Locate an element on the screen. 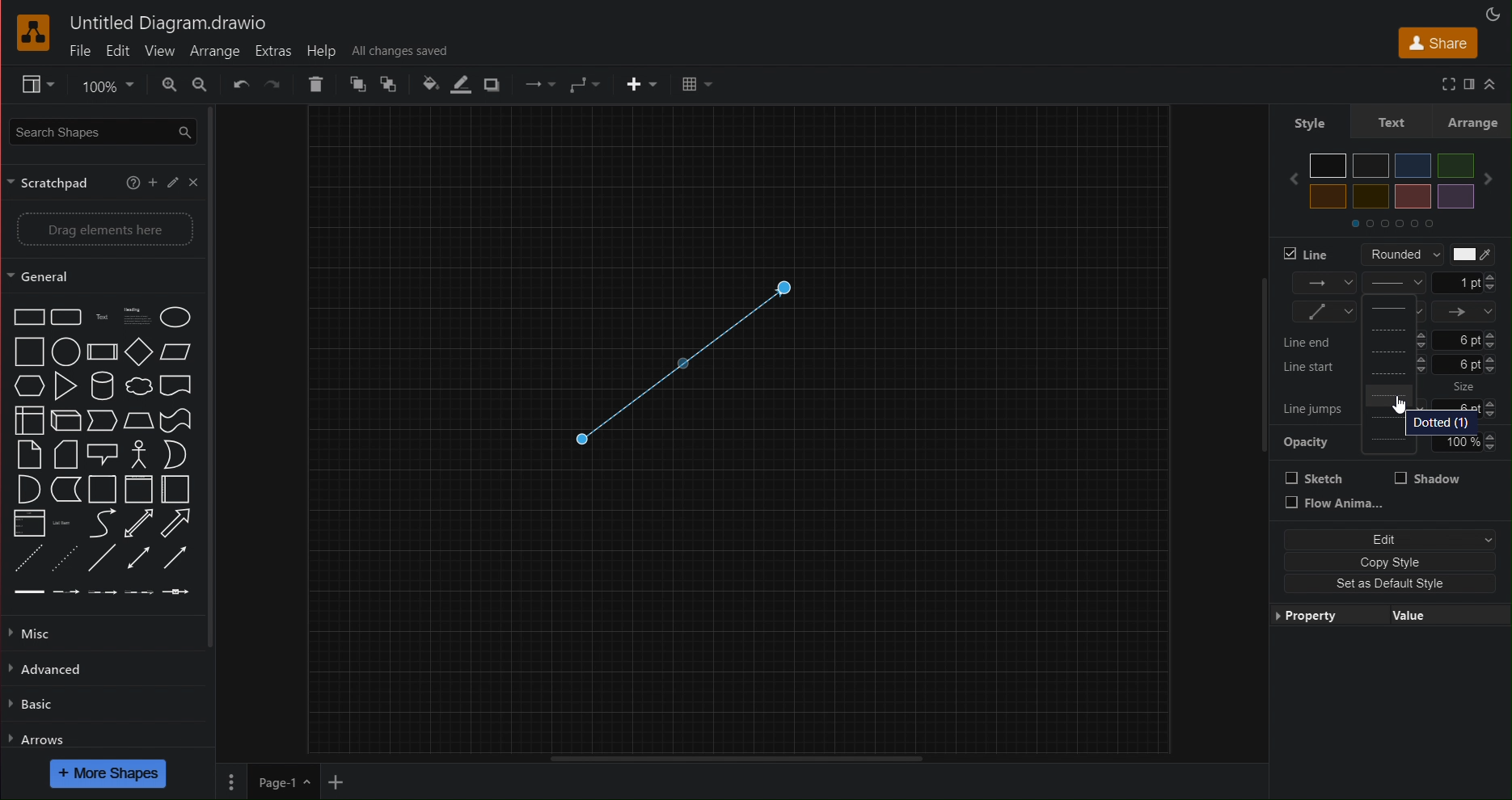 This screenshot has width=1512, height=800. Edit is located at coordinates (118, 51).